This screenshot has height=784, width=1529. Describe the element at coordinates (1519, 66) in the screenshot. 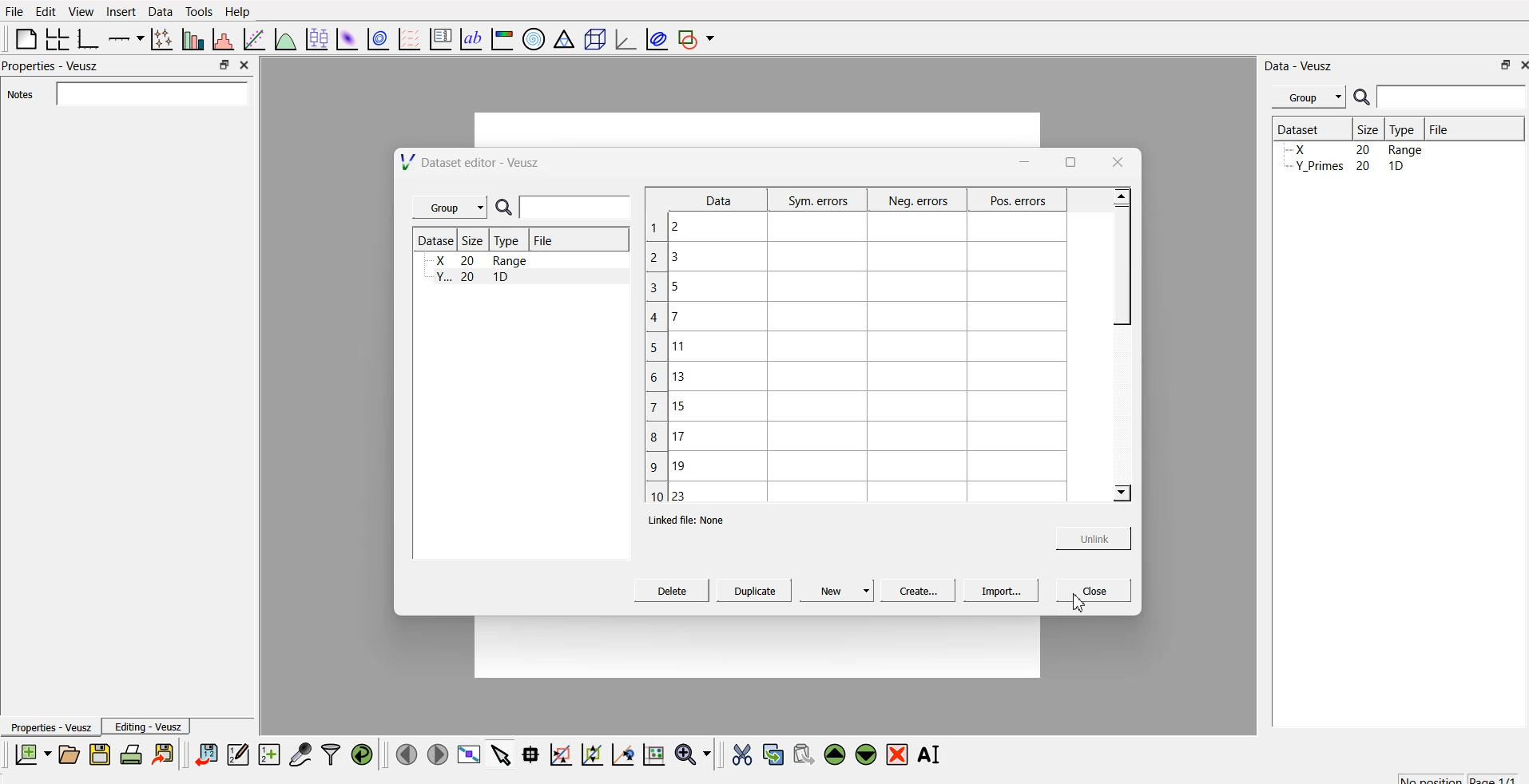

I see `close` at that location.